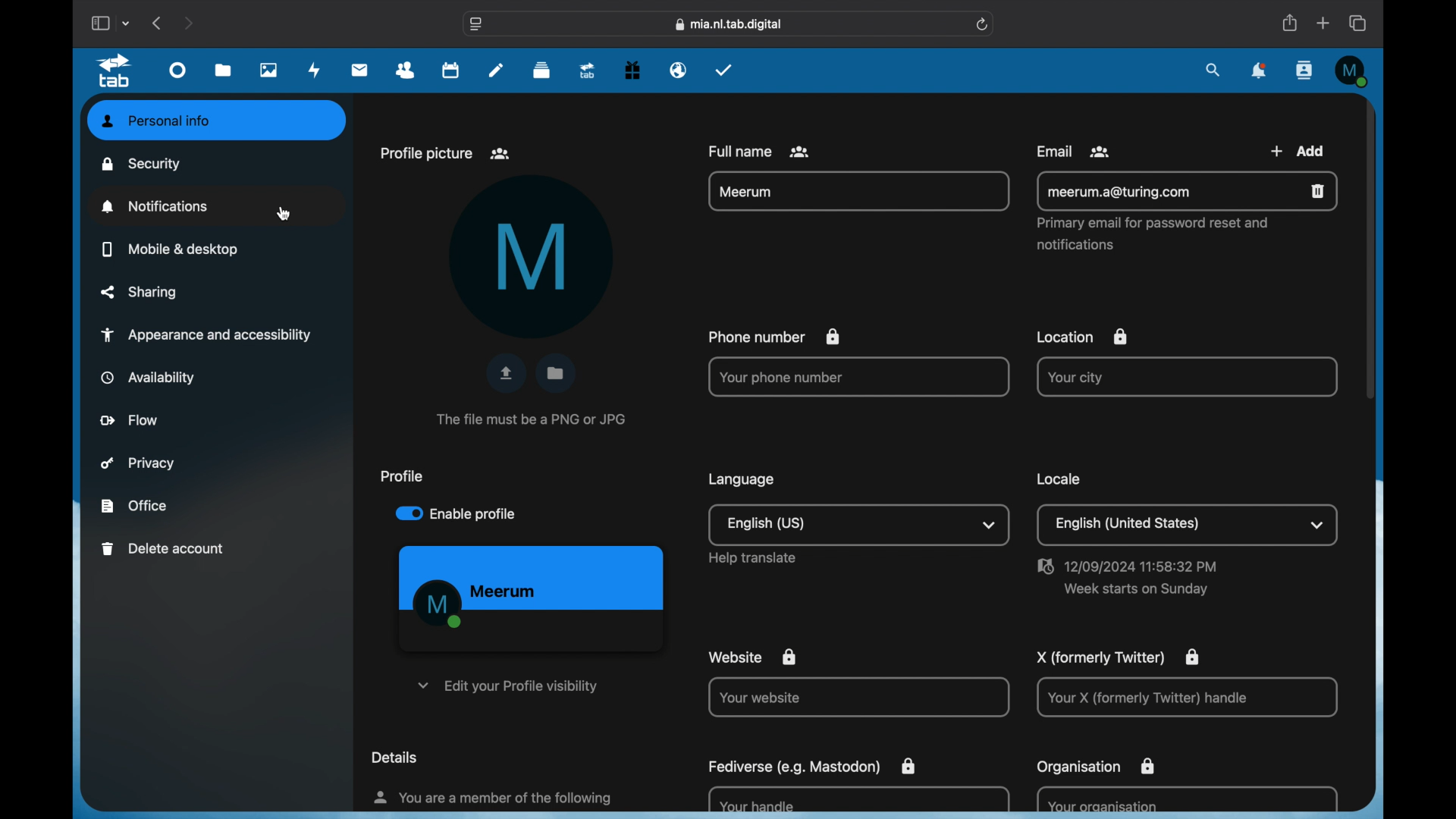 The image size is (1456, 819). I want to click on sharing, so click(140, 292).